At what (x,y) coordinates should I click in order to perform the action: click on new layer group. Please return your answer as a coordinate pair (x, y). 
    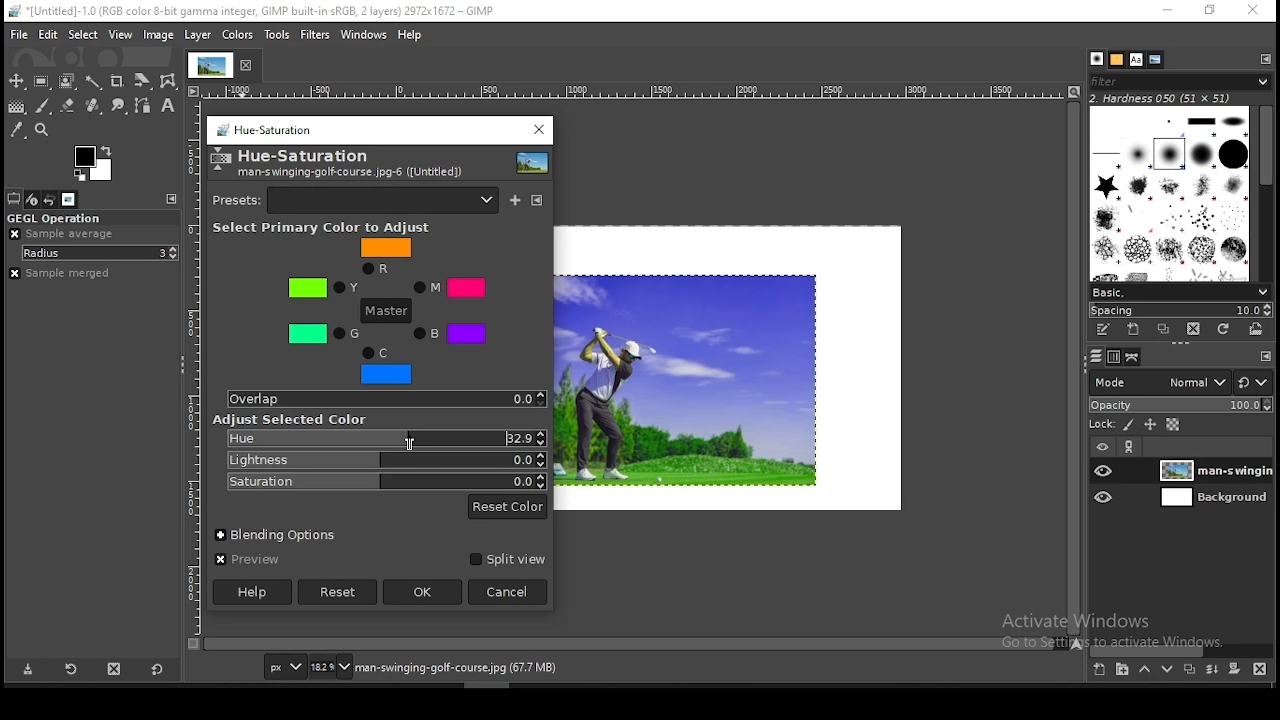
    Looking at the image, I should click on (1098, 670).